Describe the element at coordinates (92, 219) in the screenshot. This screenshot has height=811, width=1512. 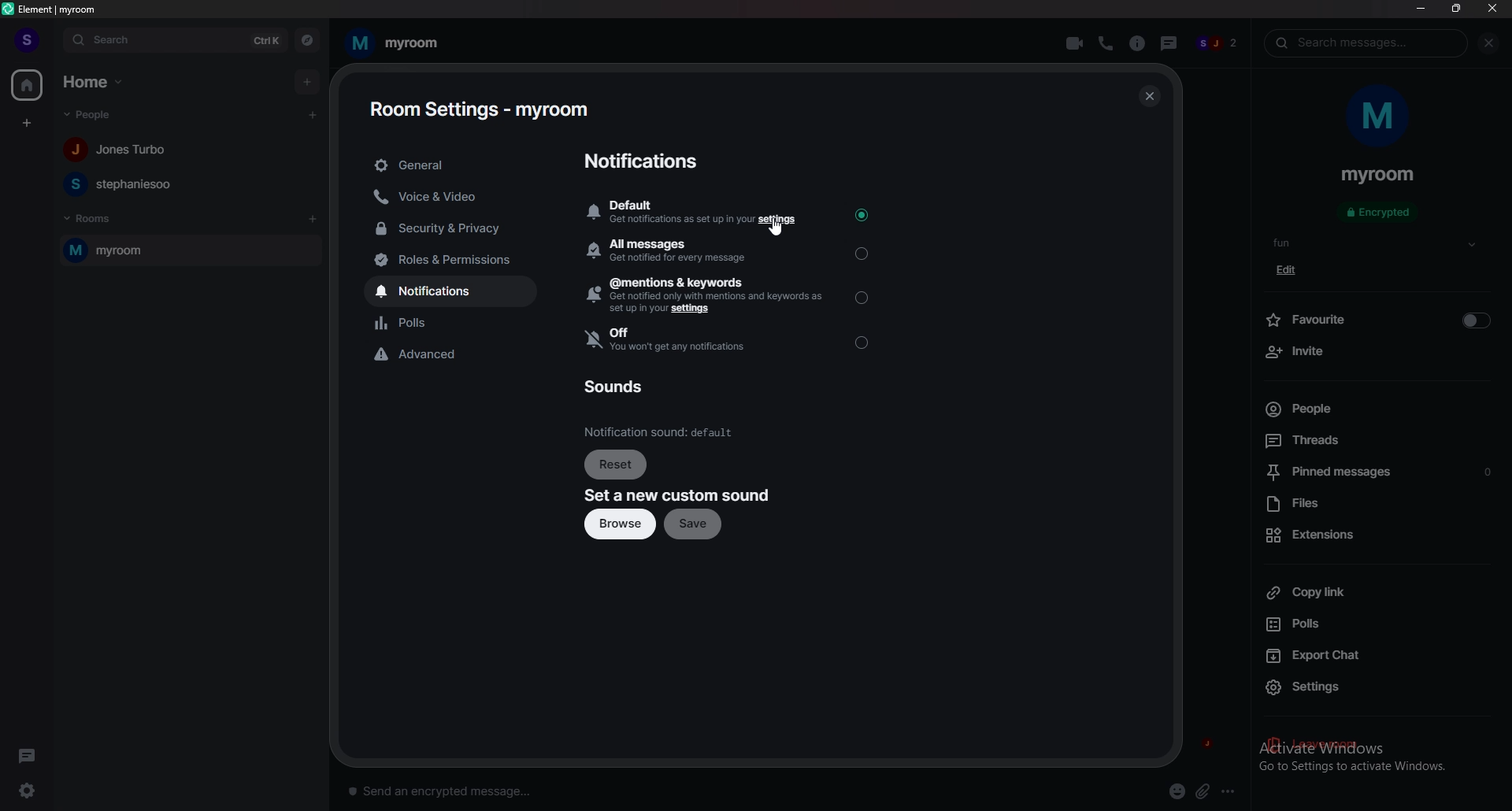
I see `rooms` at that location.